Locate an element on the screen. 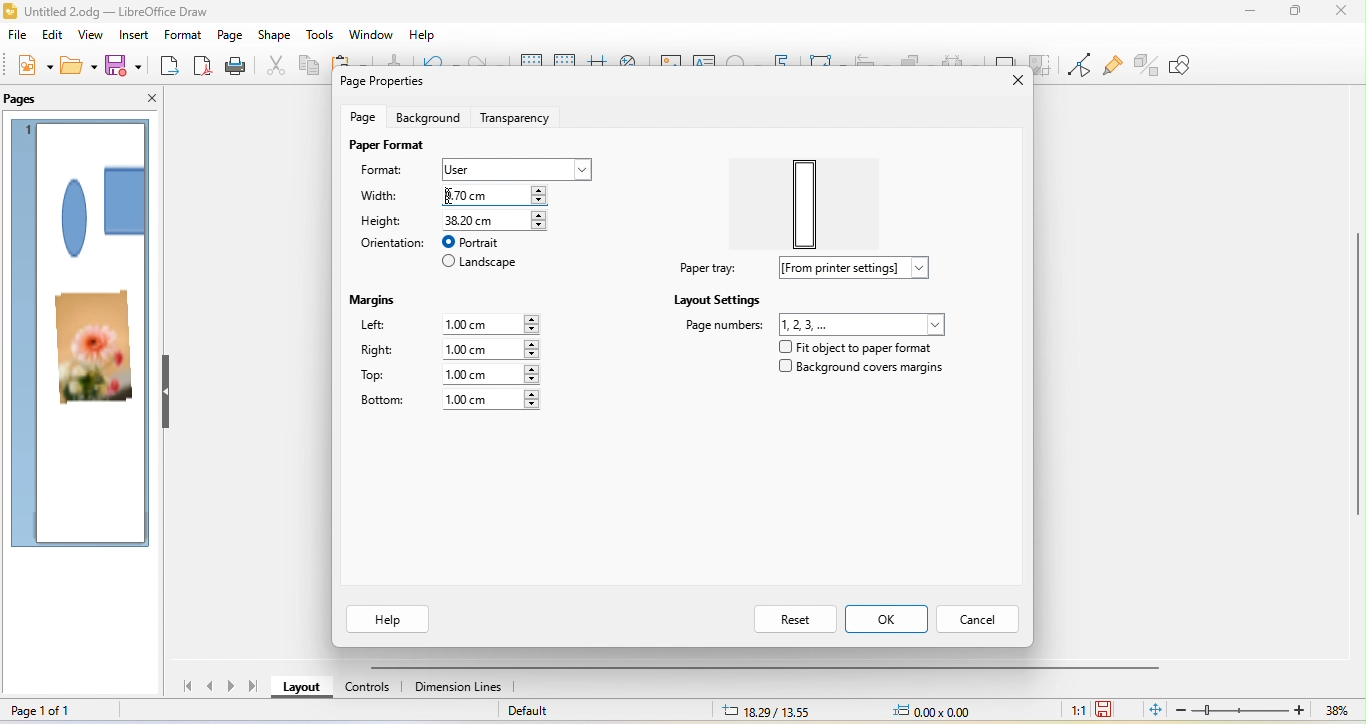 This screenshot has width=1366, height=724. the document has not been modified since last save is located at coordinates (1109, 709).